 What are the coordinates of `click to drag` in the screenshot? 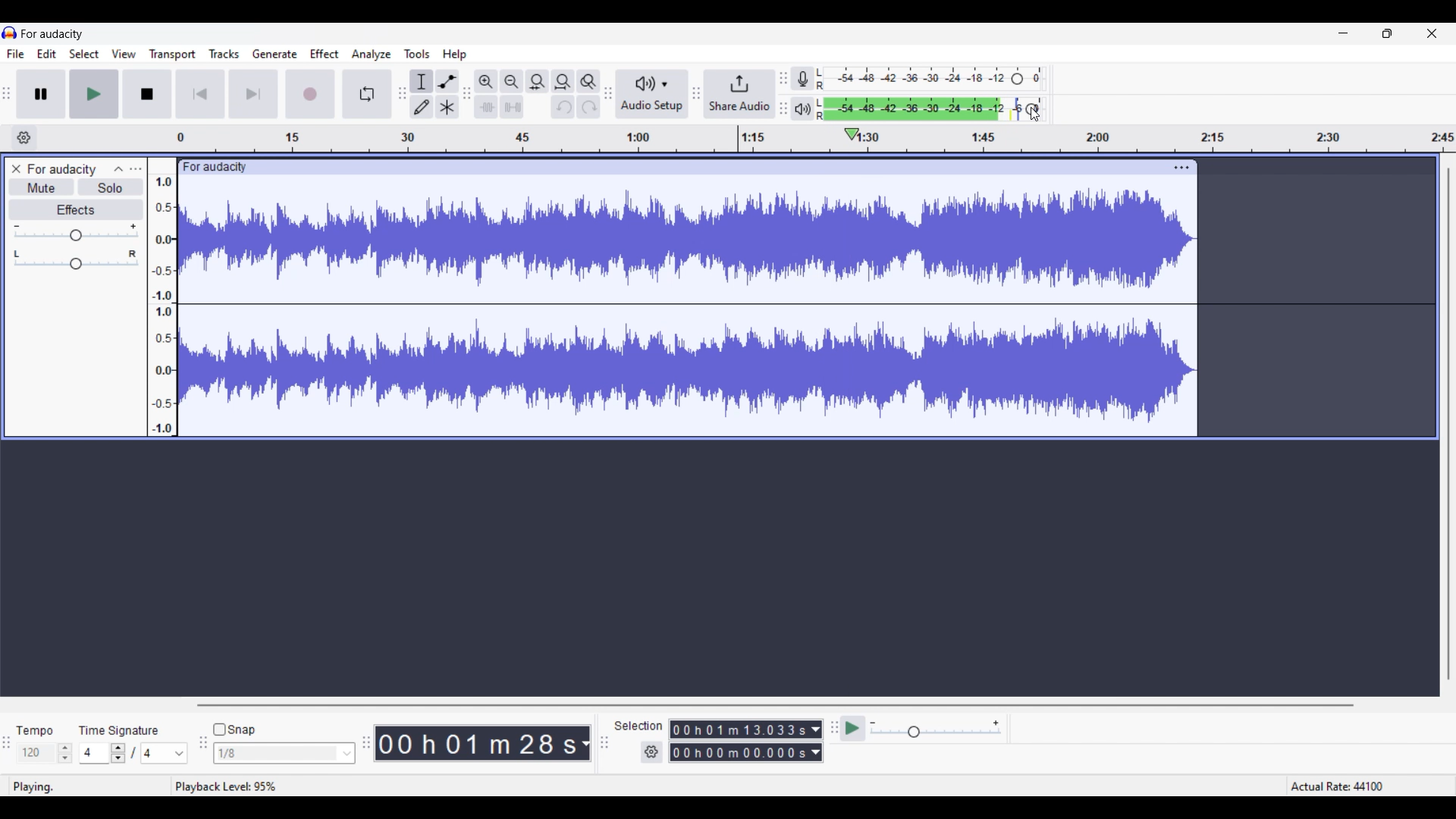 It's located at (670, 165).